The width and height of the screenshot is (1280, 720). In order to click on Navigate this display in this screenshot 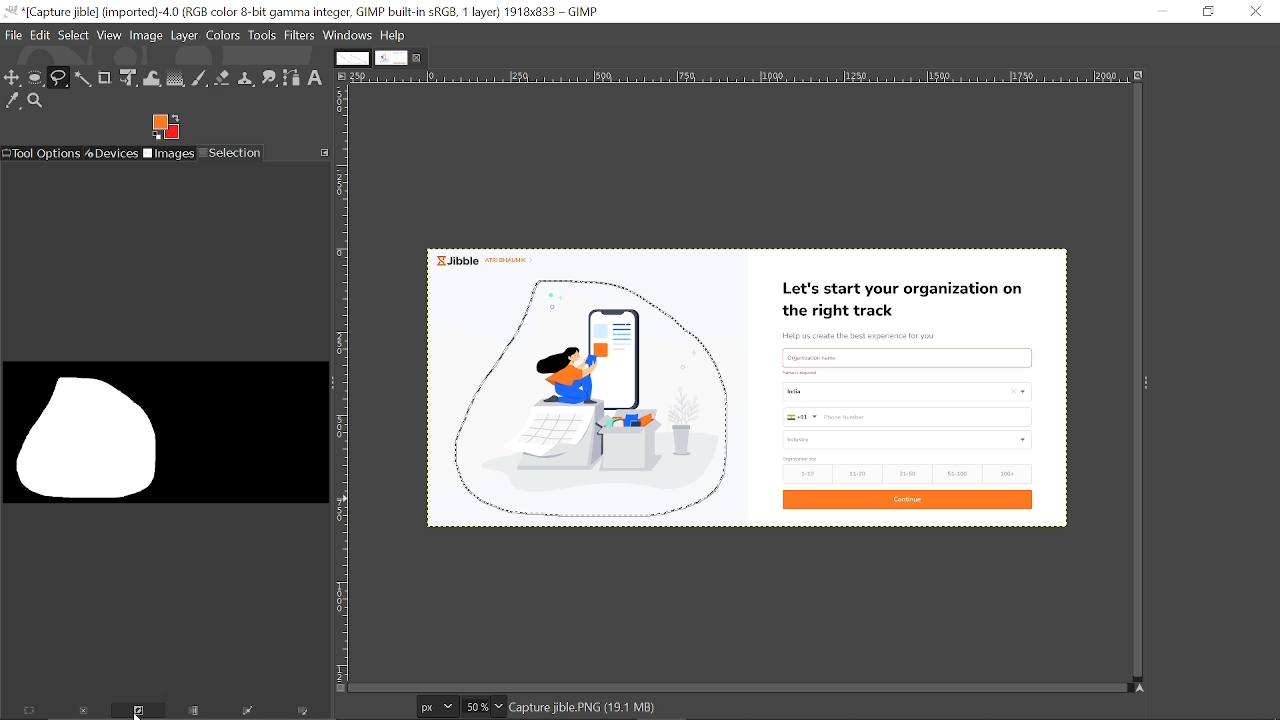, I will do `click(1140, 686)`.